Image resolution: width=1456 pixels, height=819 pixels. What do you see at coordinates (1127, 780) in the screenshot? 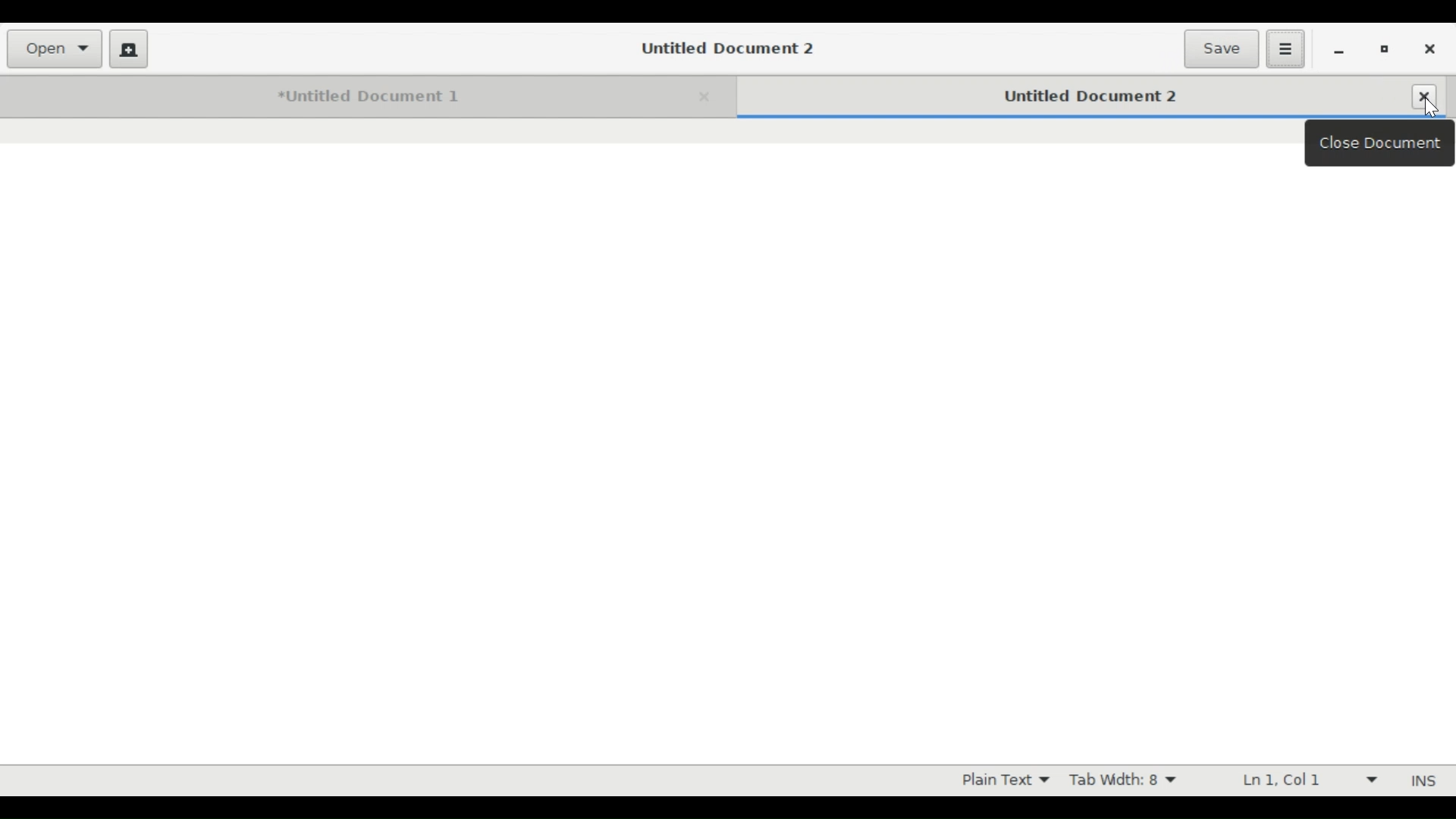
I see `Tab Width` at bounding box center [1127, 780].